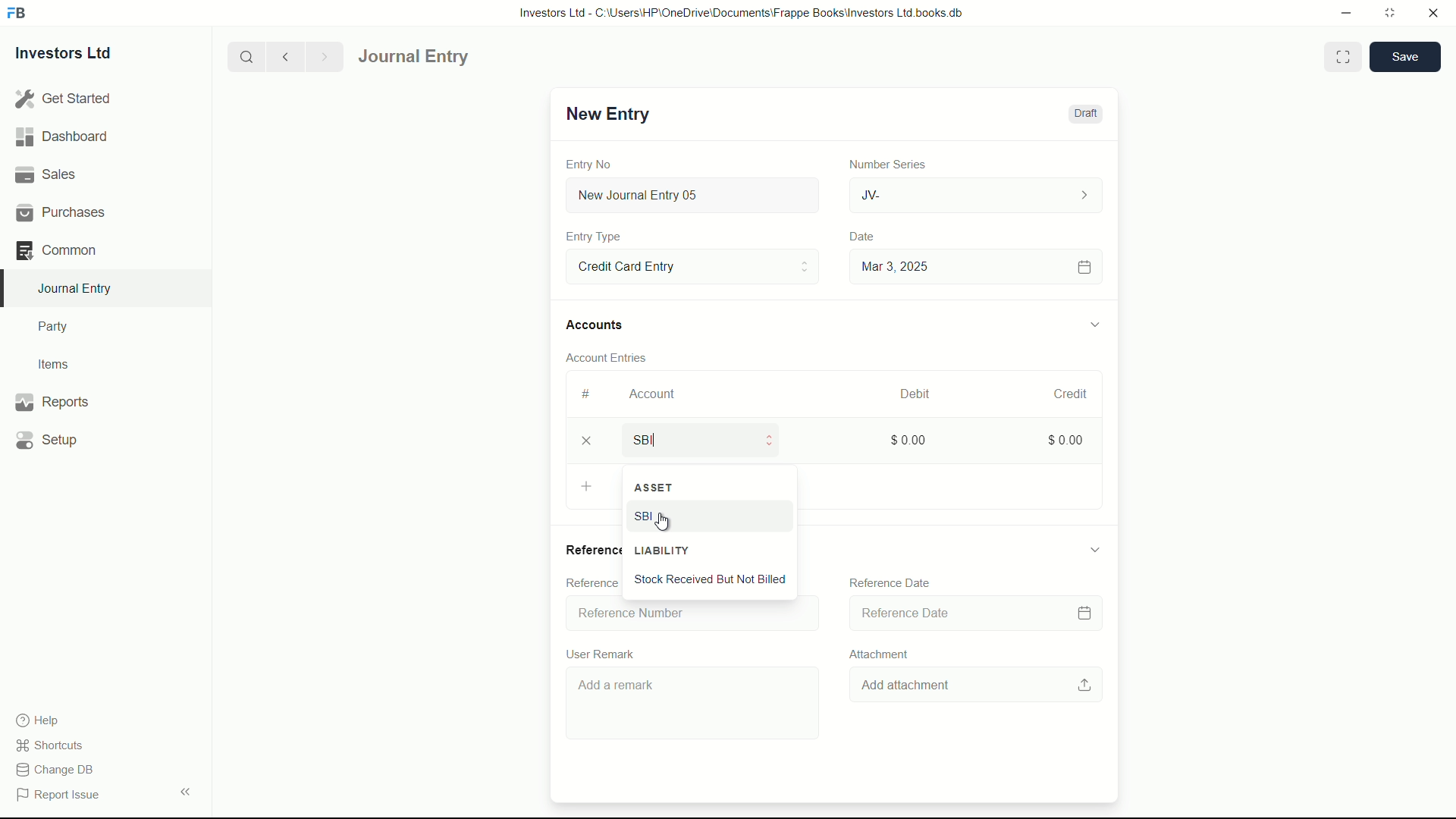 This screenshot has height=819, width=1456. What do you see at coordinates (978, 193) in the screenshot?
I see `JV` at bounding box center [978, 193].